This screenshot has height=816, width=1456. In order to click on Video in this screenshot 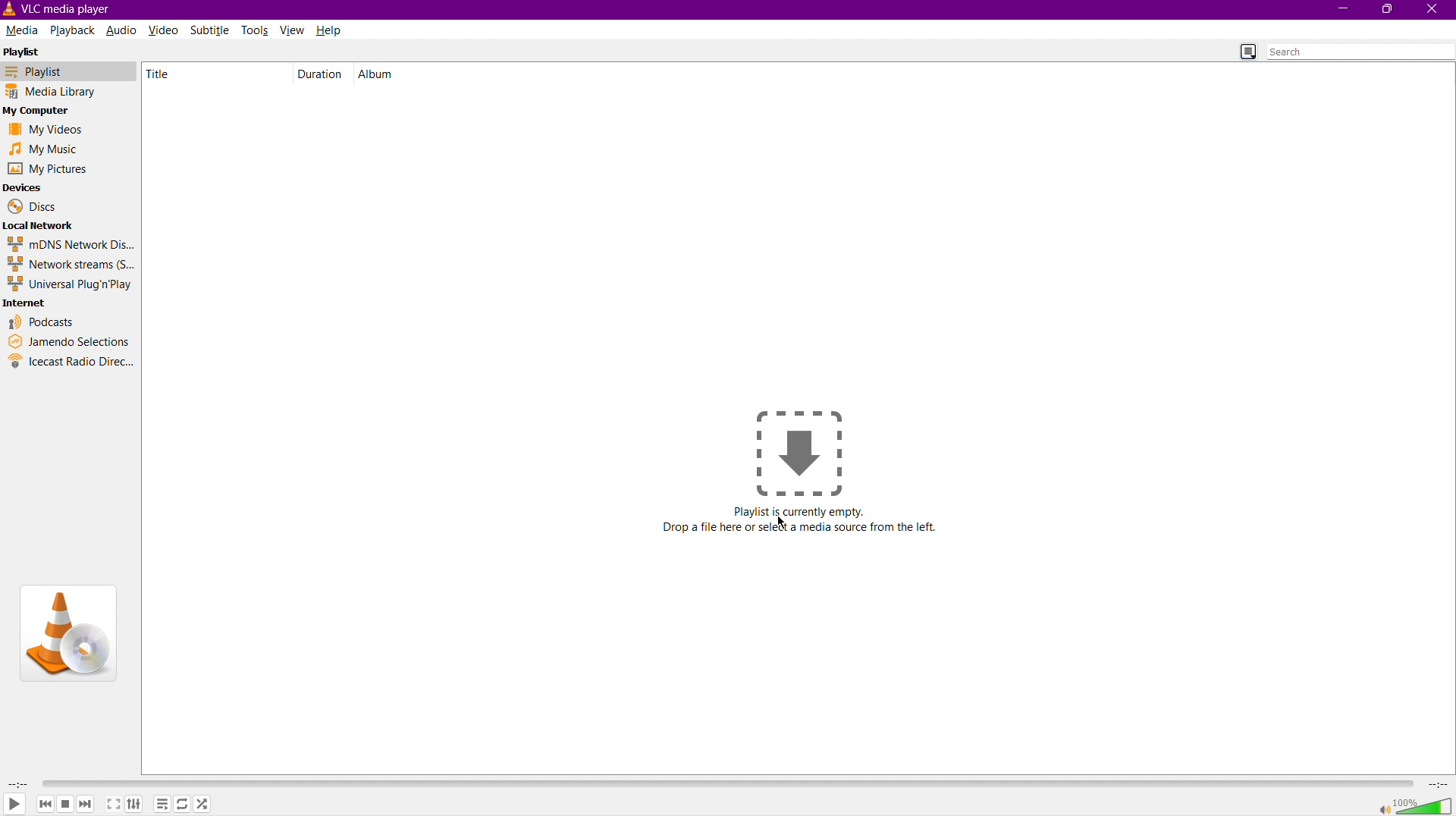, I will do `click(165, 27)`.